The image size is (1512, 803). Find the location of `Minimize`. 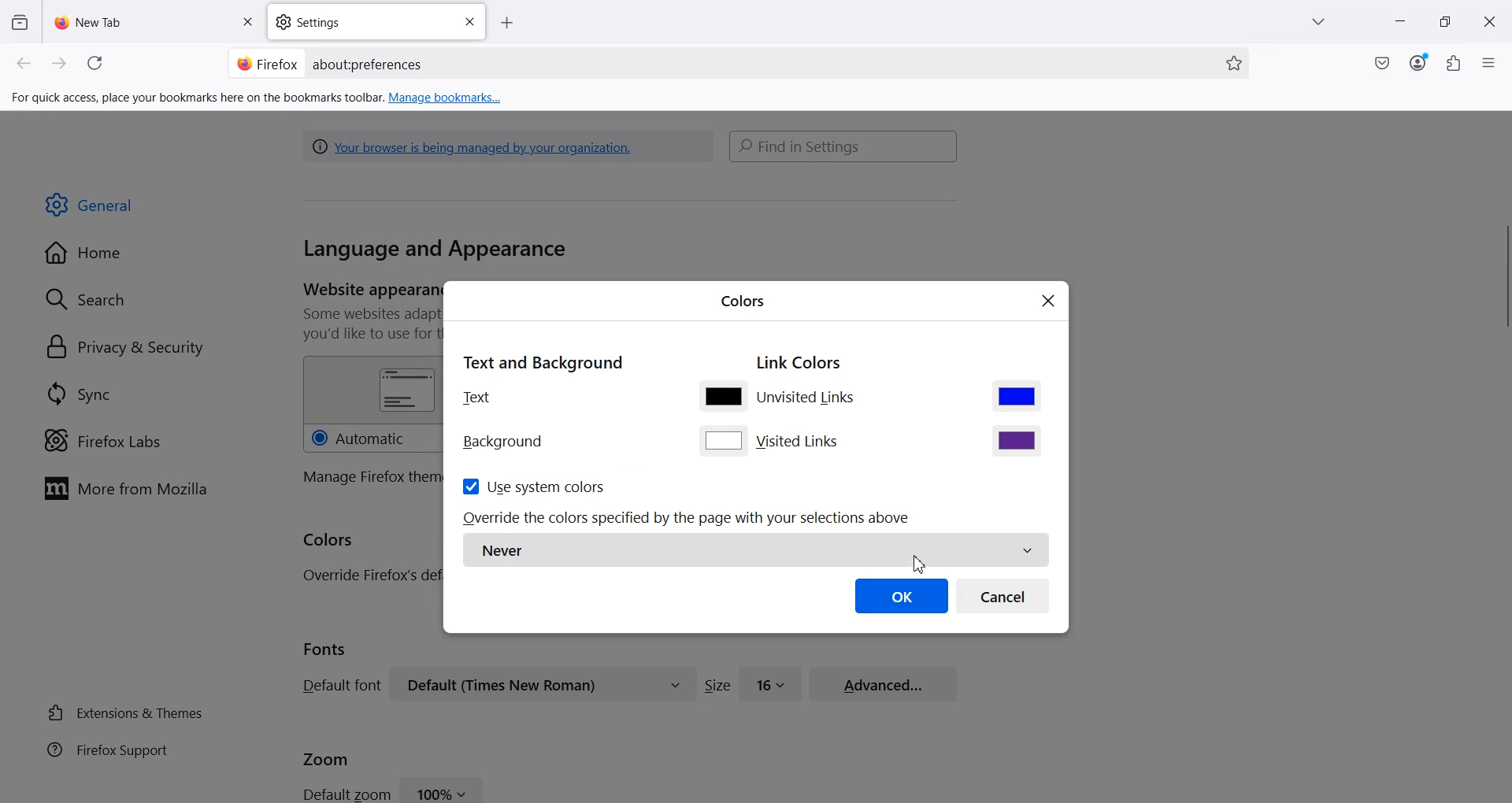

Minimize is located at coordinates (1399, 23).